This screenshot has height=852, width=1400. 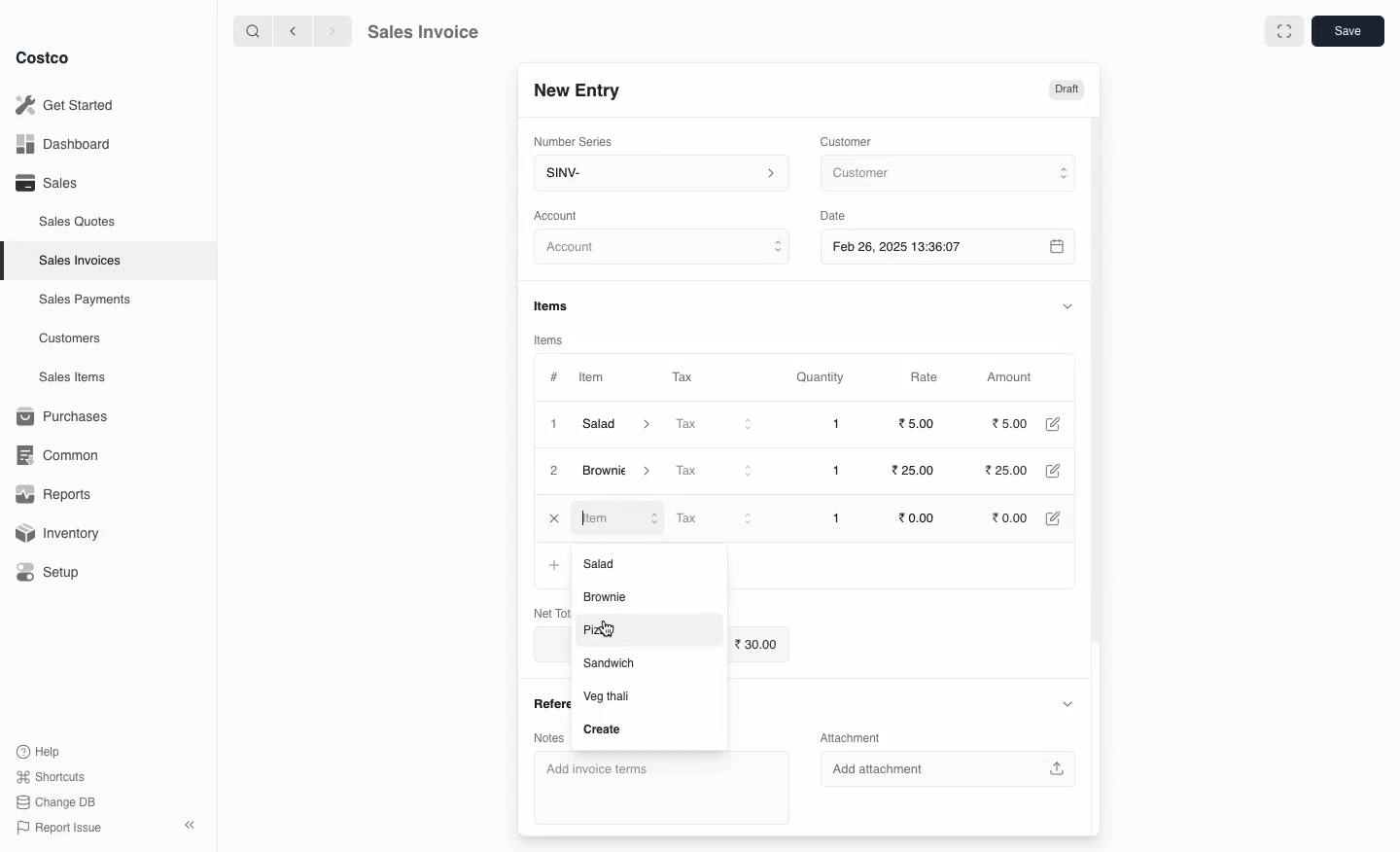 What do you see at coordinates (682, 373) in the screenshot?
I see `Tax` at bounding box center [682, 373].